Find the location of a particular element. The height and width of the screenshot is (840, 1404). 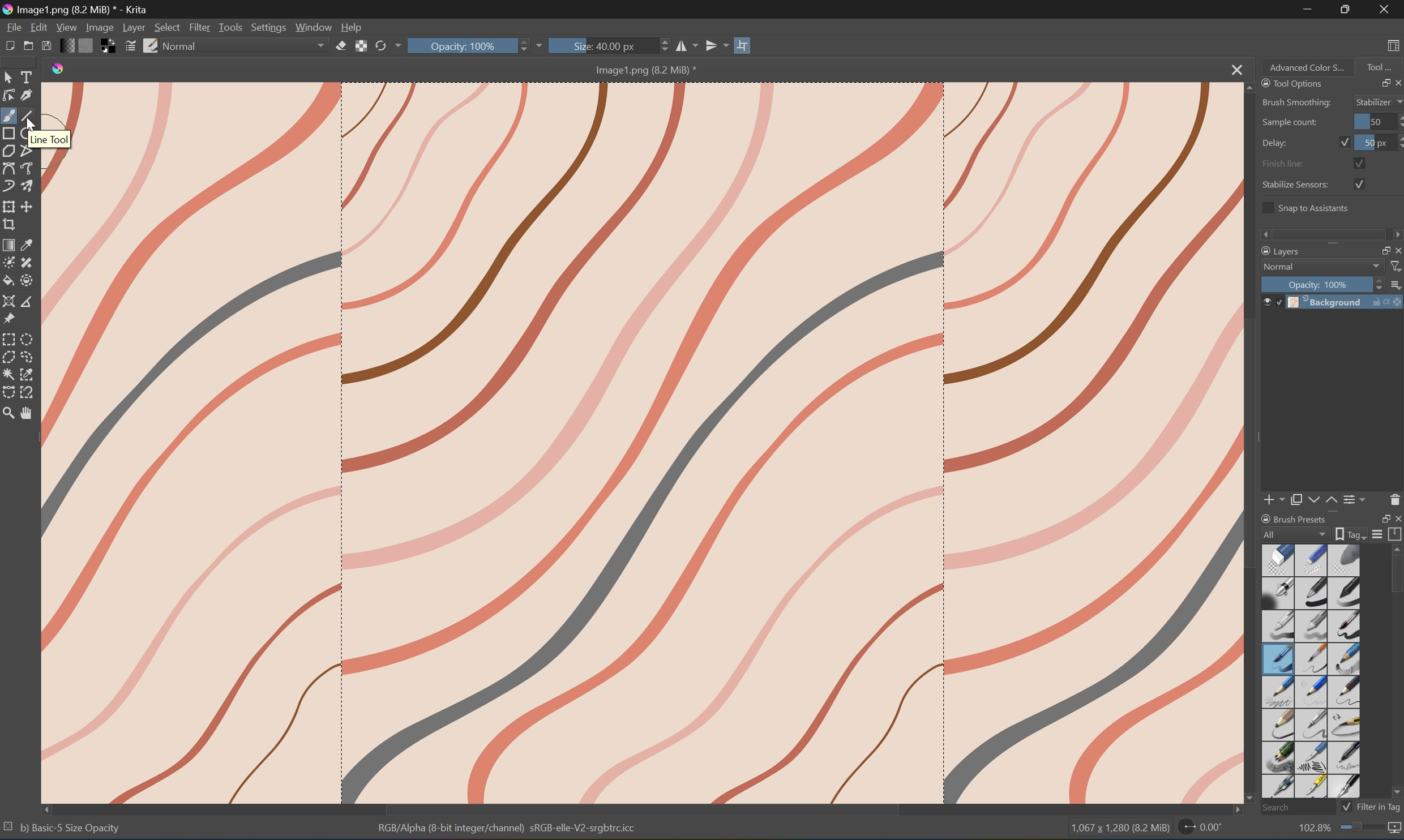

Filter in tag is located at coordinates (1380, 807).